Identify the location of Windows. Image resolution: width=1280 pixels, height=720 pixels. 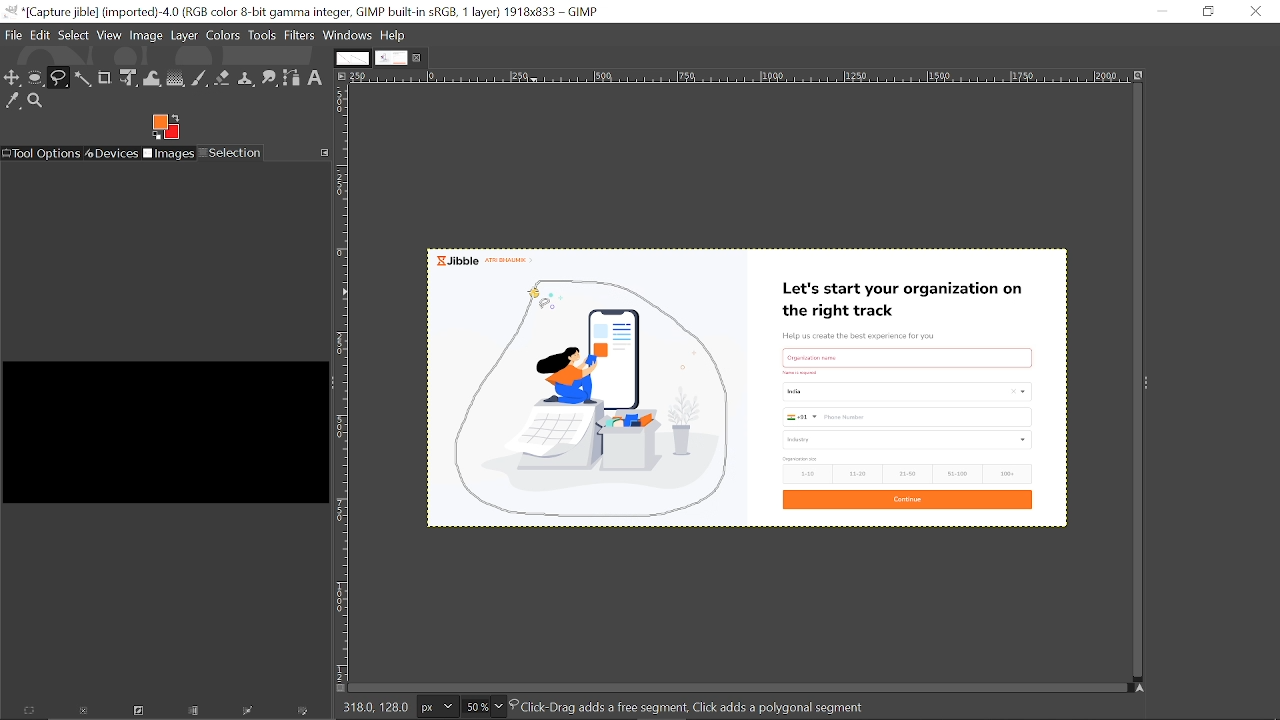
(348, 35).